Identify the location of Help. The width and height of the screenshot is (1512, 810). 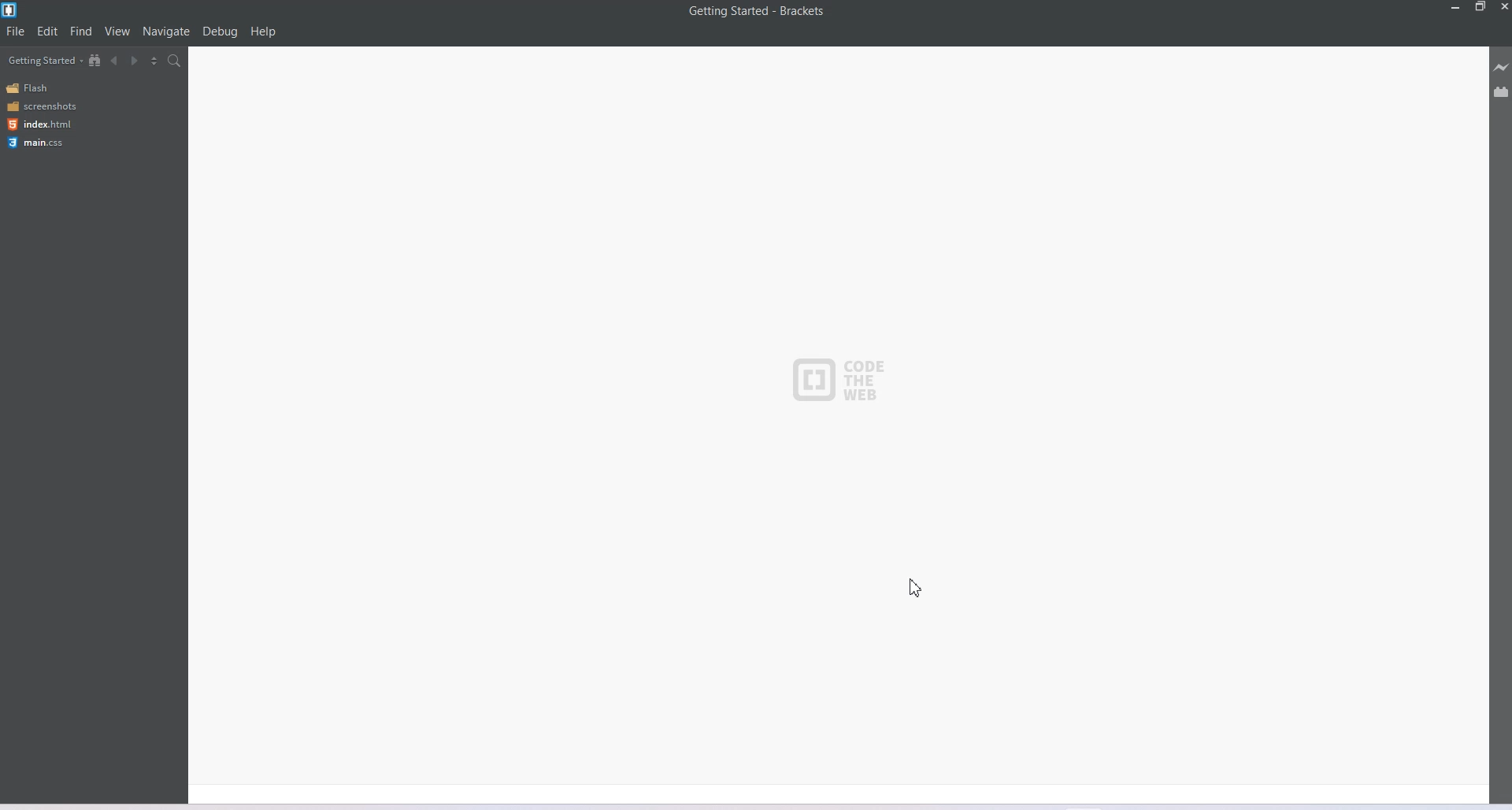
(263, 32).